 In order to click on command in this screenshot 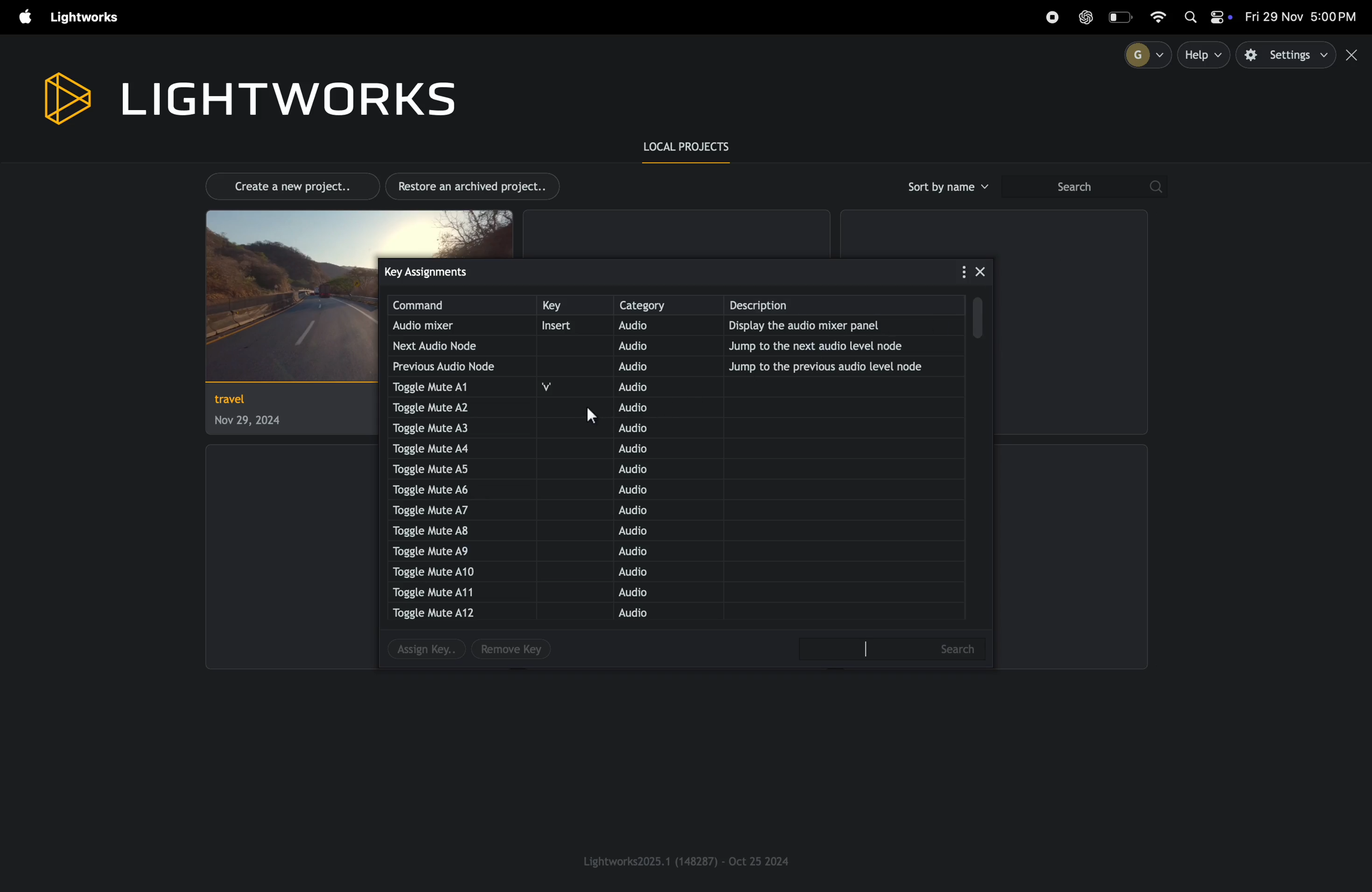, I will do `click(461, 305)`.